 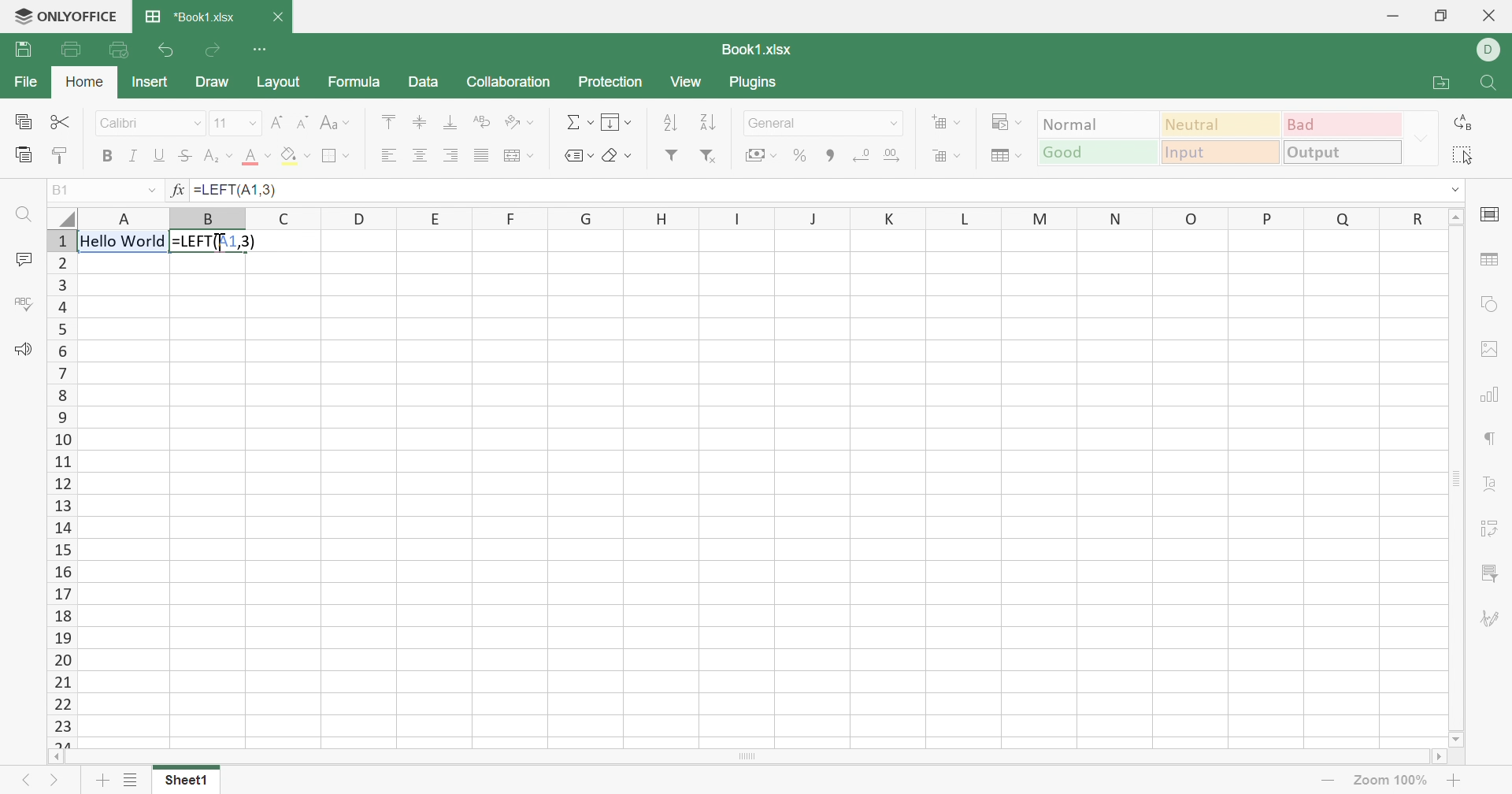 I want to click on Increase decimal, so click(x=892, y=158).